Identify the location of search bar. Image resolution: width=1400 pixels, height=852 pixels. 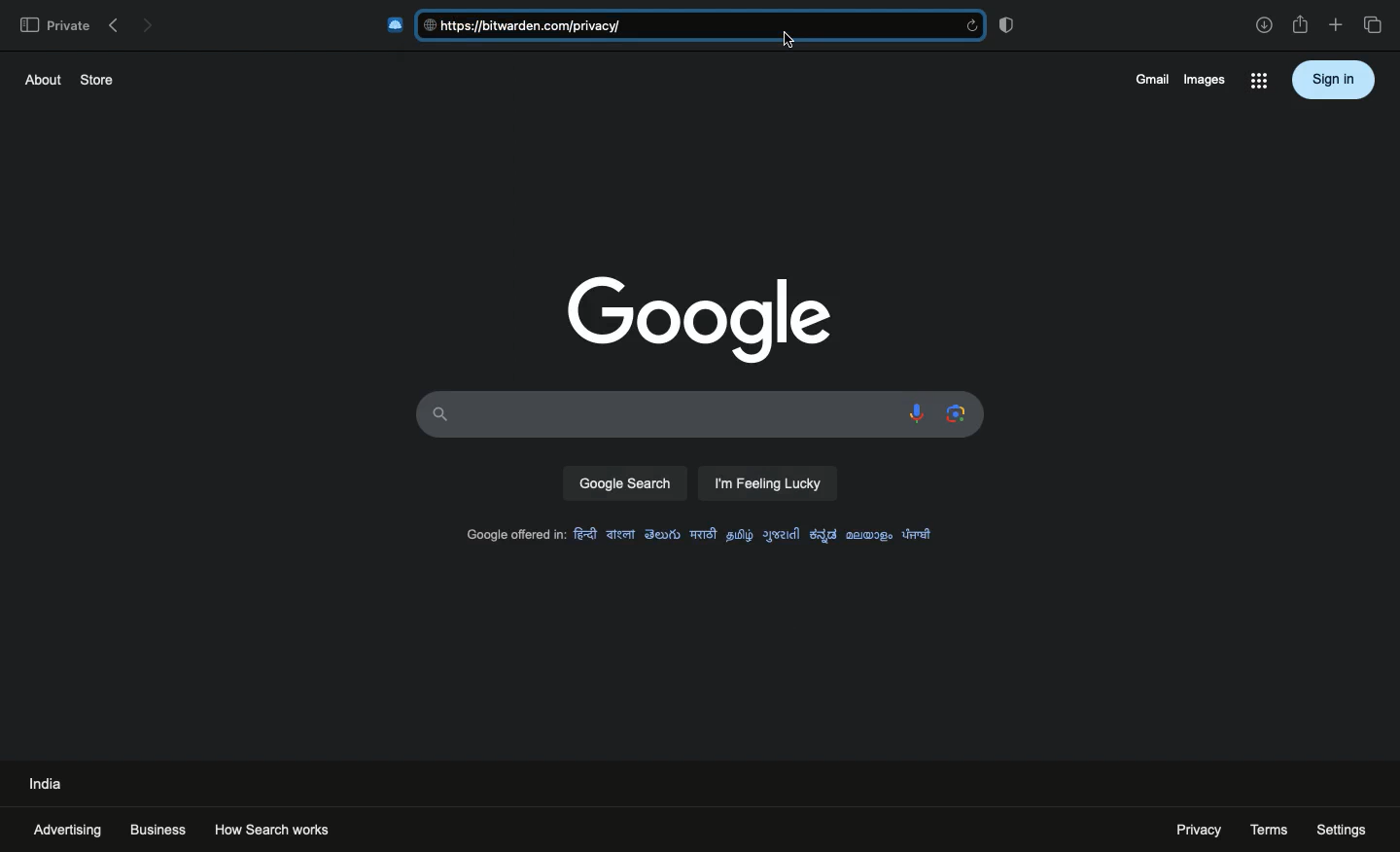
(655, 412).